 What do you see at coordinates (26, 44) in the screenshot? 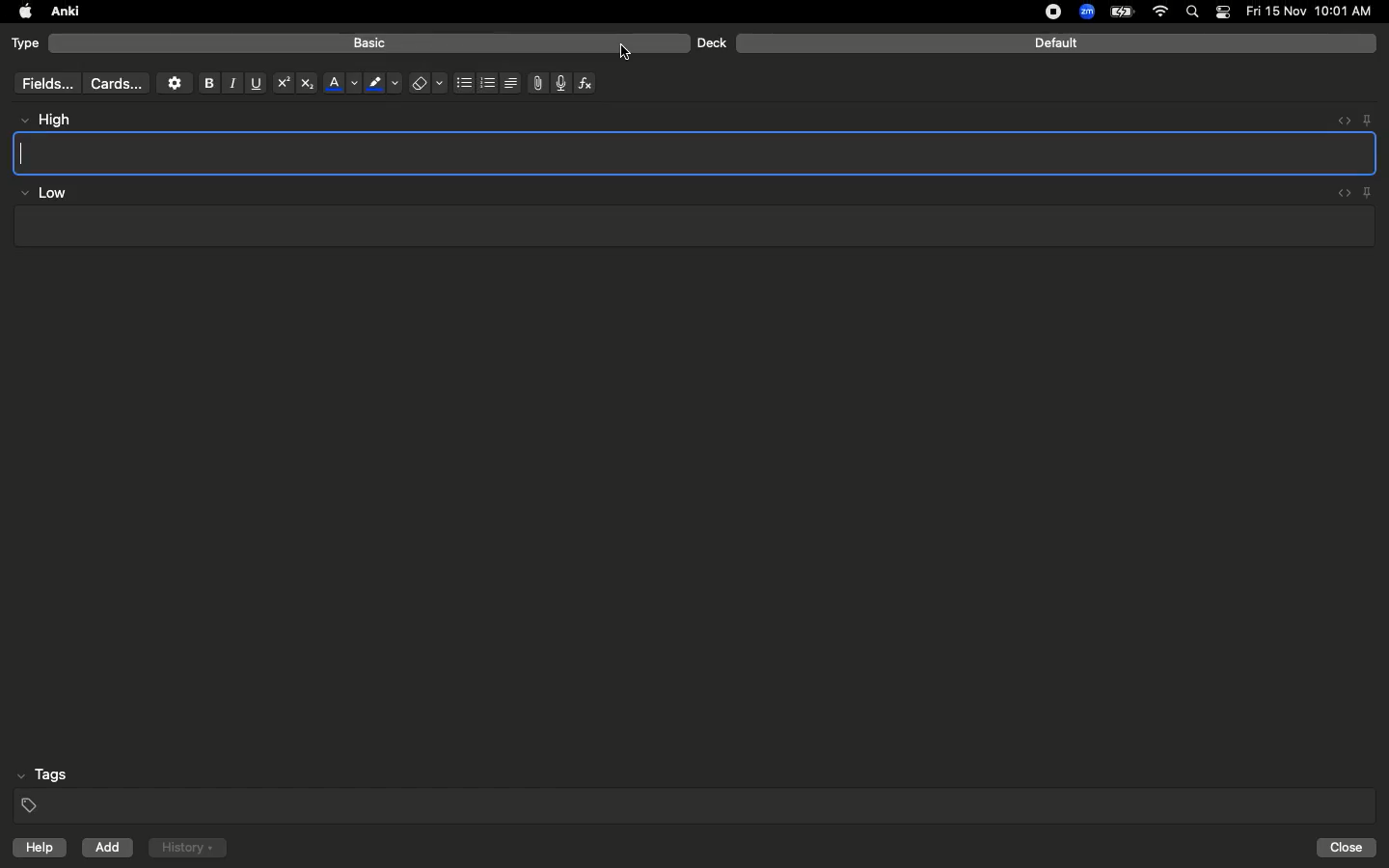
I see `Type` at bounding box center [26, 44].